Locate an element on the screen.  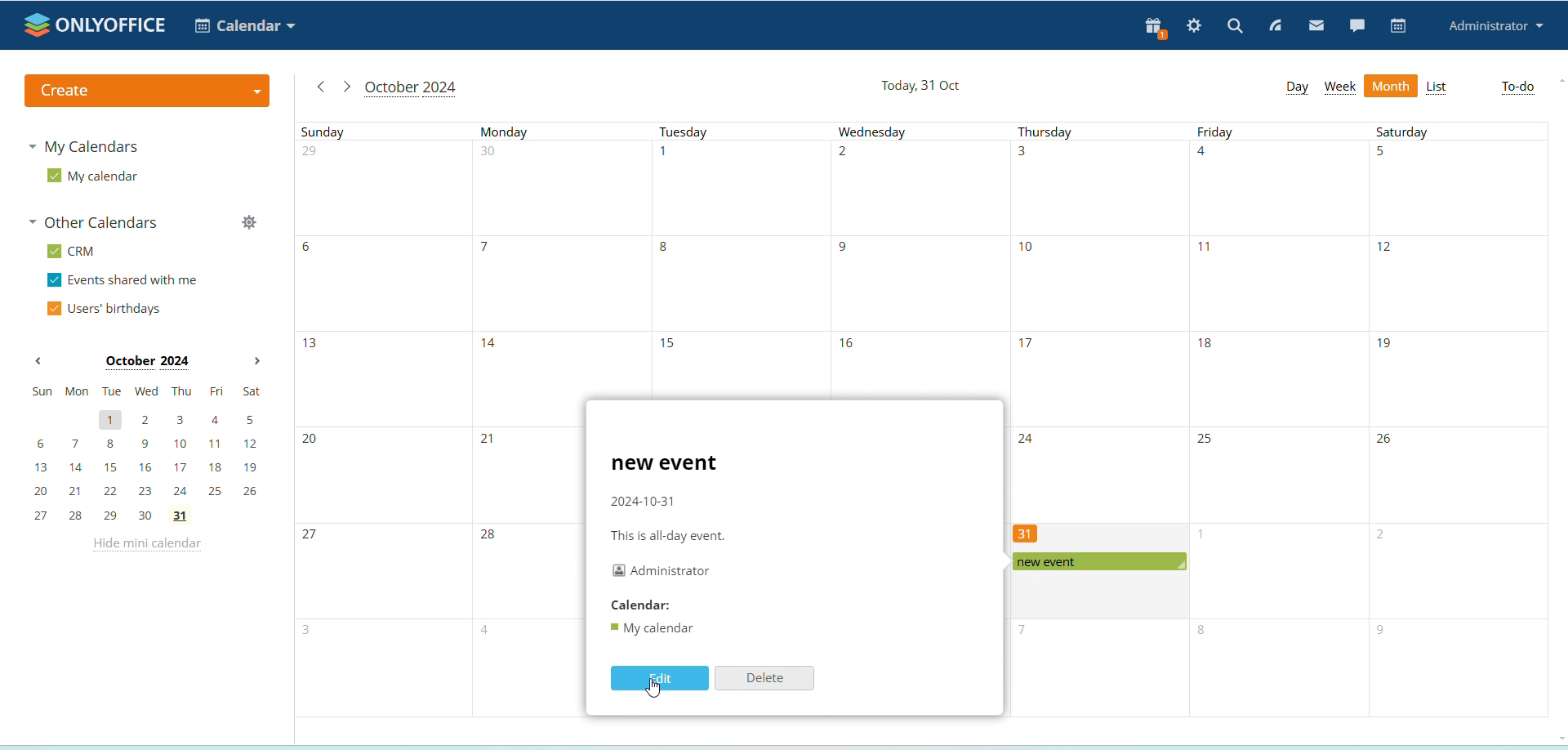
current month is located at coordinates (410, 89).